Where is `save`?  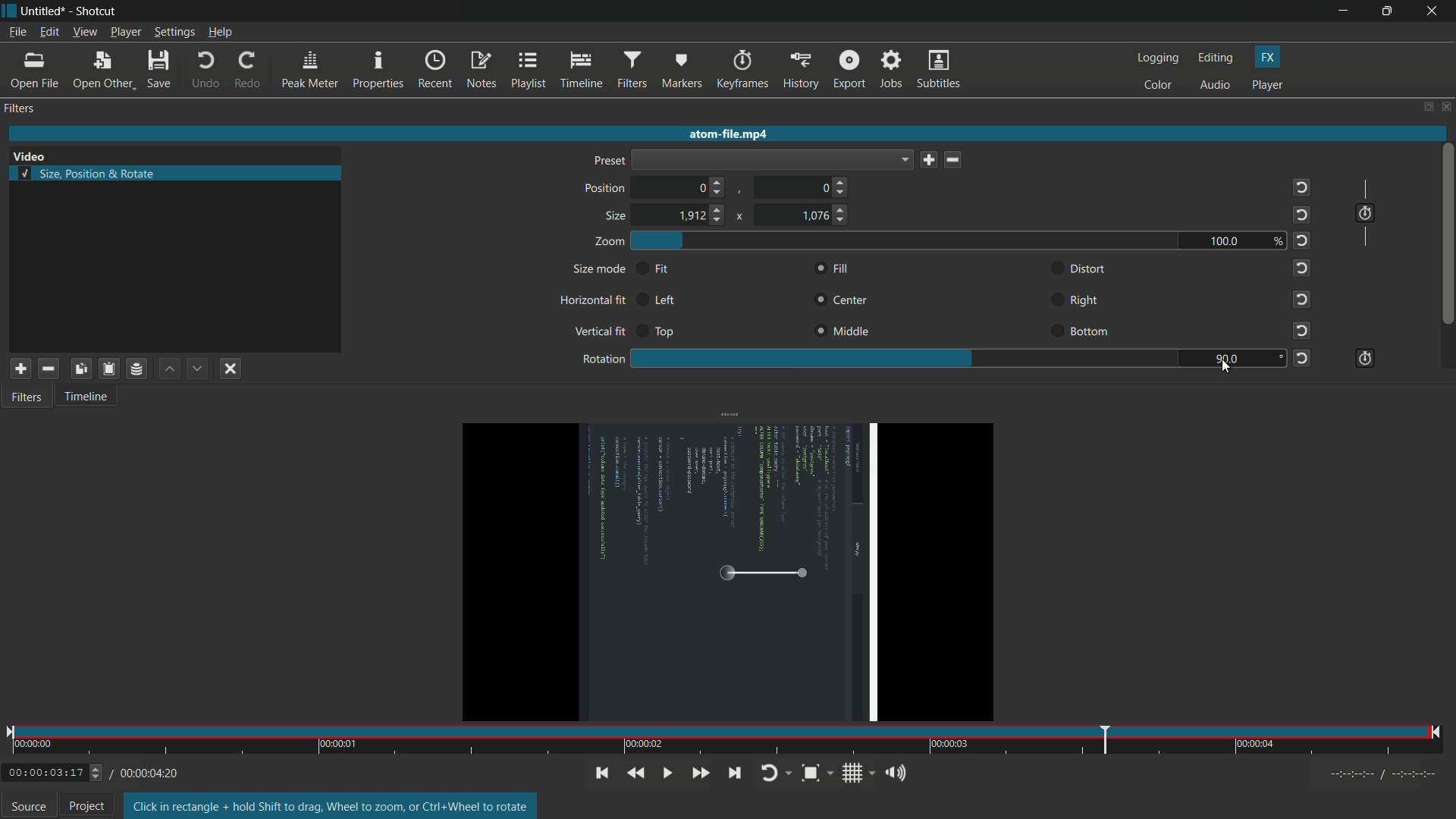 save is located at coordinates (158, 70).